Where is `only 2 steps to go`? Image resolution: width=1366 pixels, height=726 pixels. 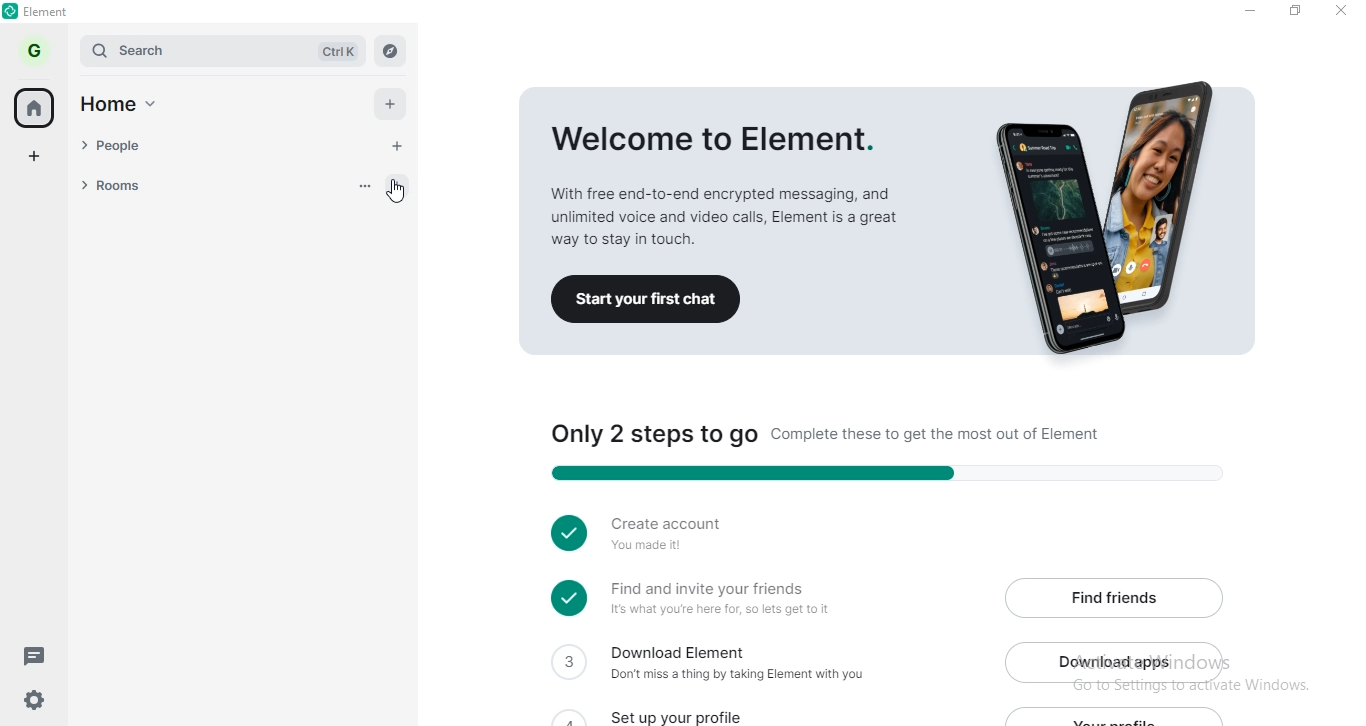 only 2 steps to go is located at coordinates (872, 450).